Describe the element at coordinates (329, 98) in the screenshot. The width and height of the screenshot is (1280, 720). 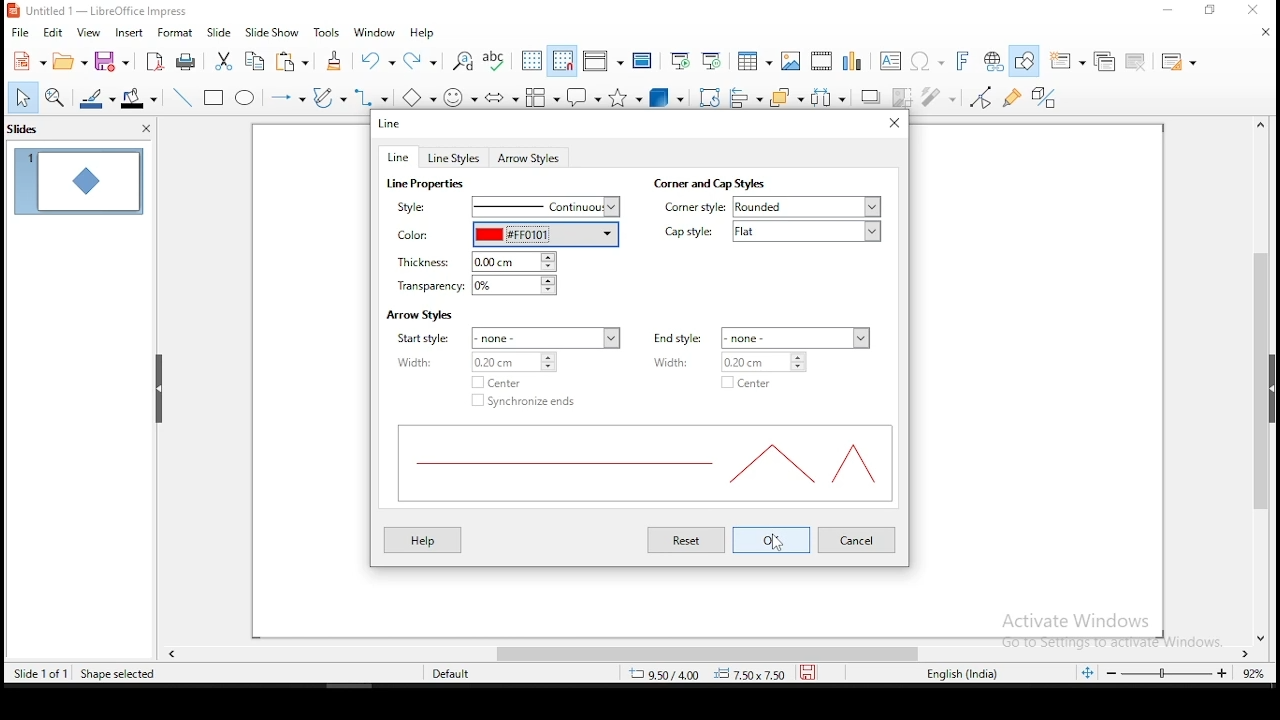
I see `curves and polygons` at that location.